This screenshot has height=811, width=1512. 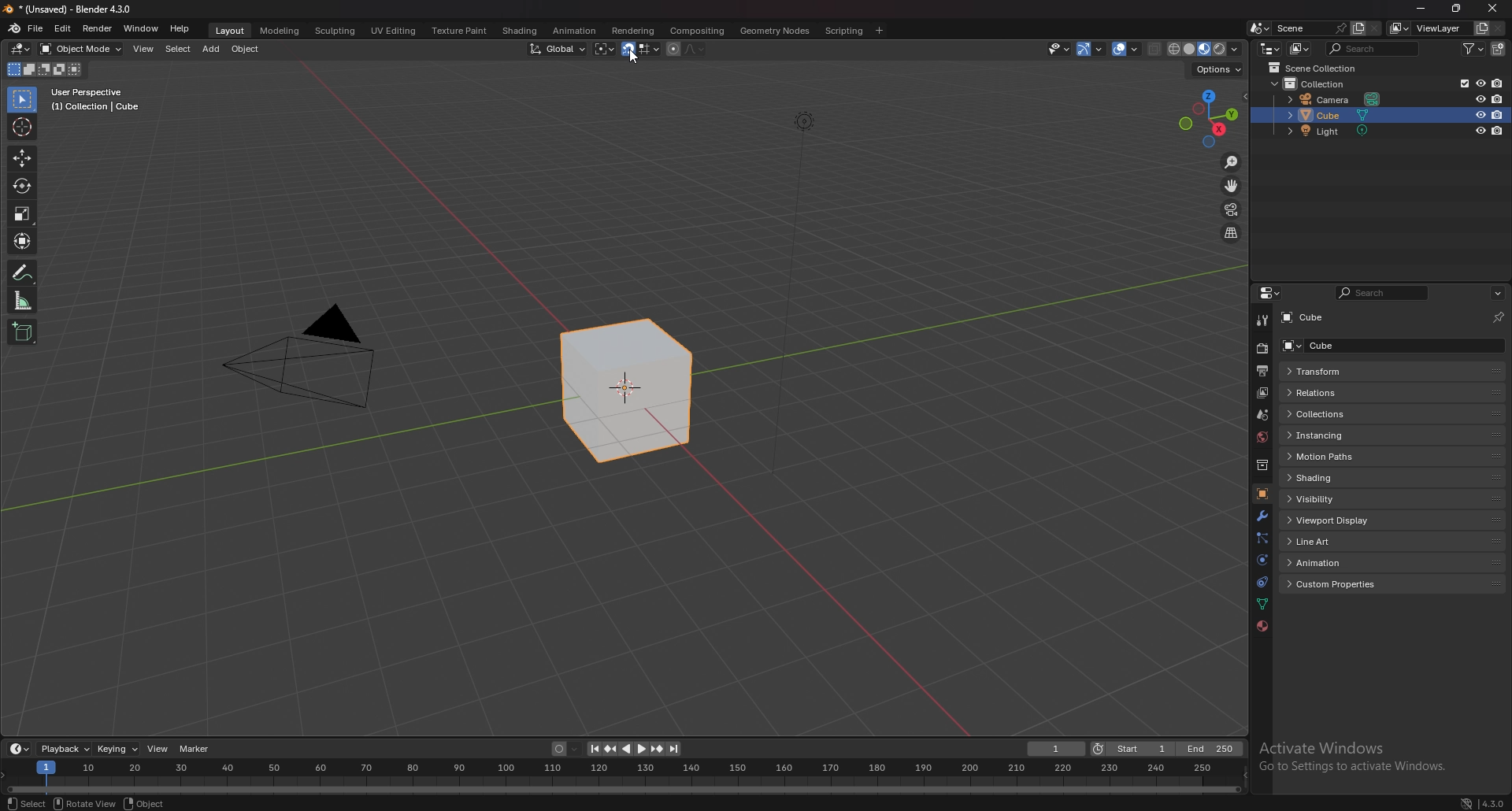 I want to click on object mode, so click(x=82, y=49).